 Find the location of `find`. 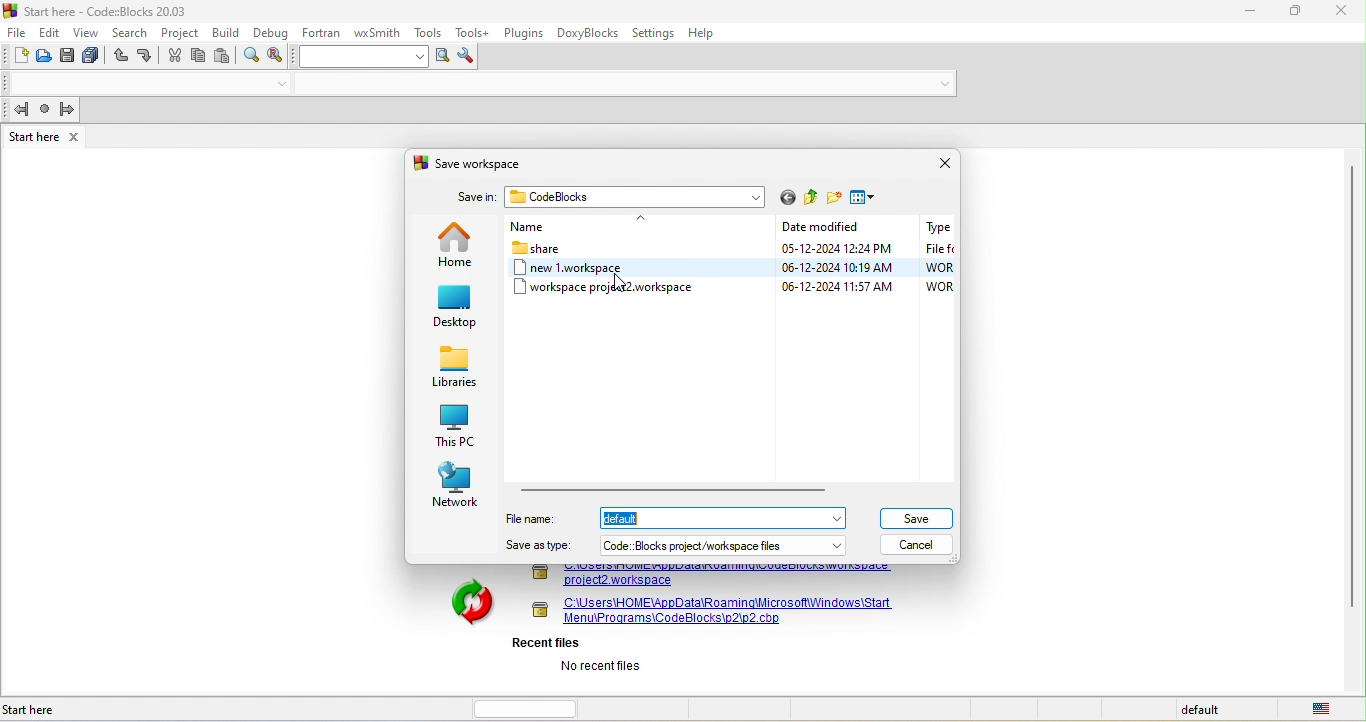

find is located at coordinates (252, 58).